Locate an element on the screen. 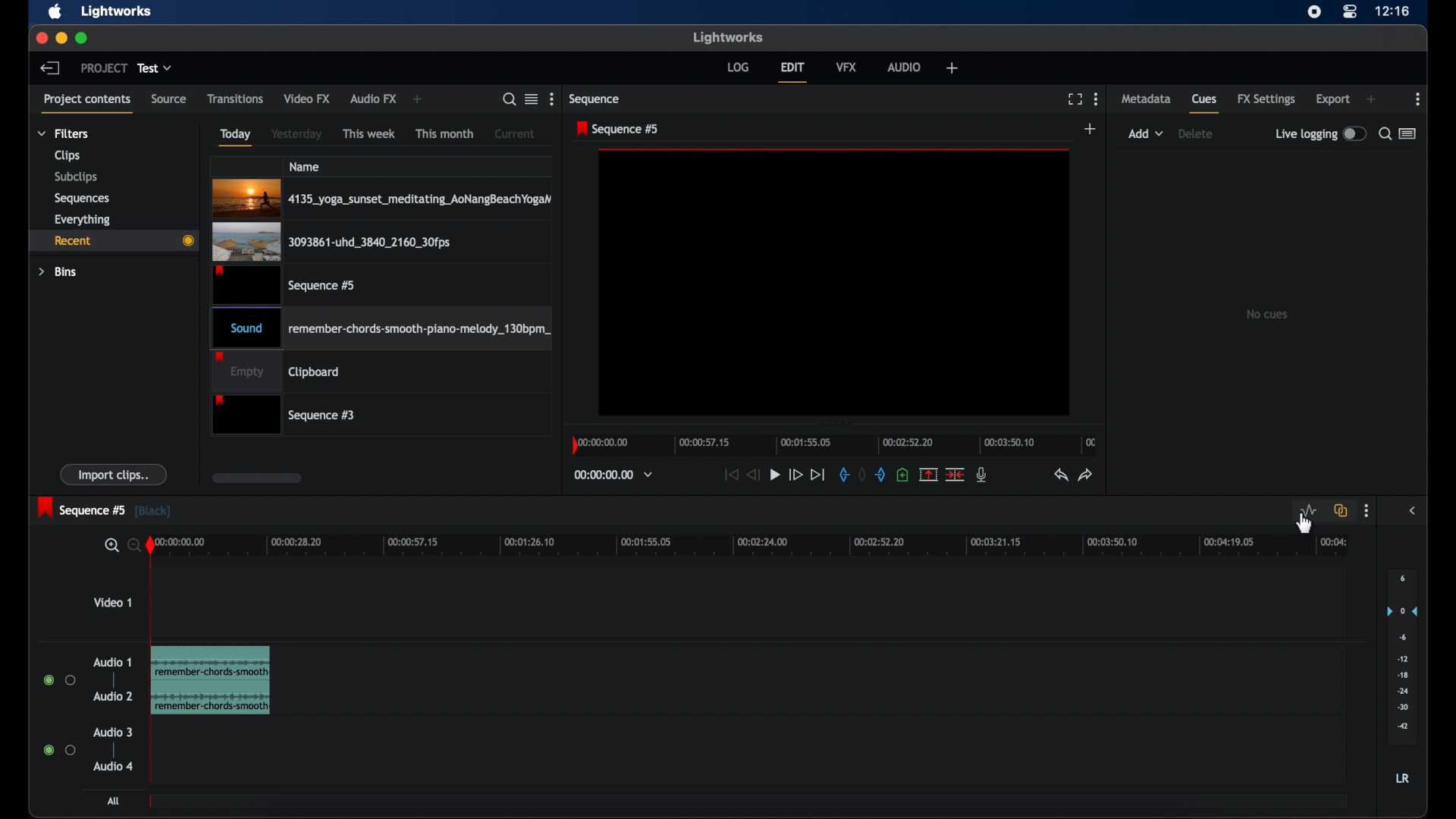 The width and height of the screenshot is (1456, 819). undo is located at coordinates (1059, 475).